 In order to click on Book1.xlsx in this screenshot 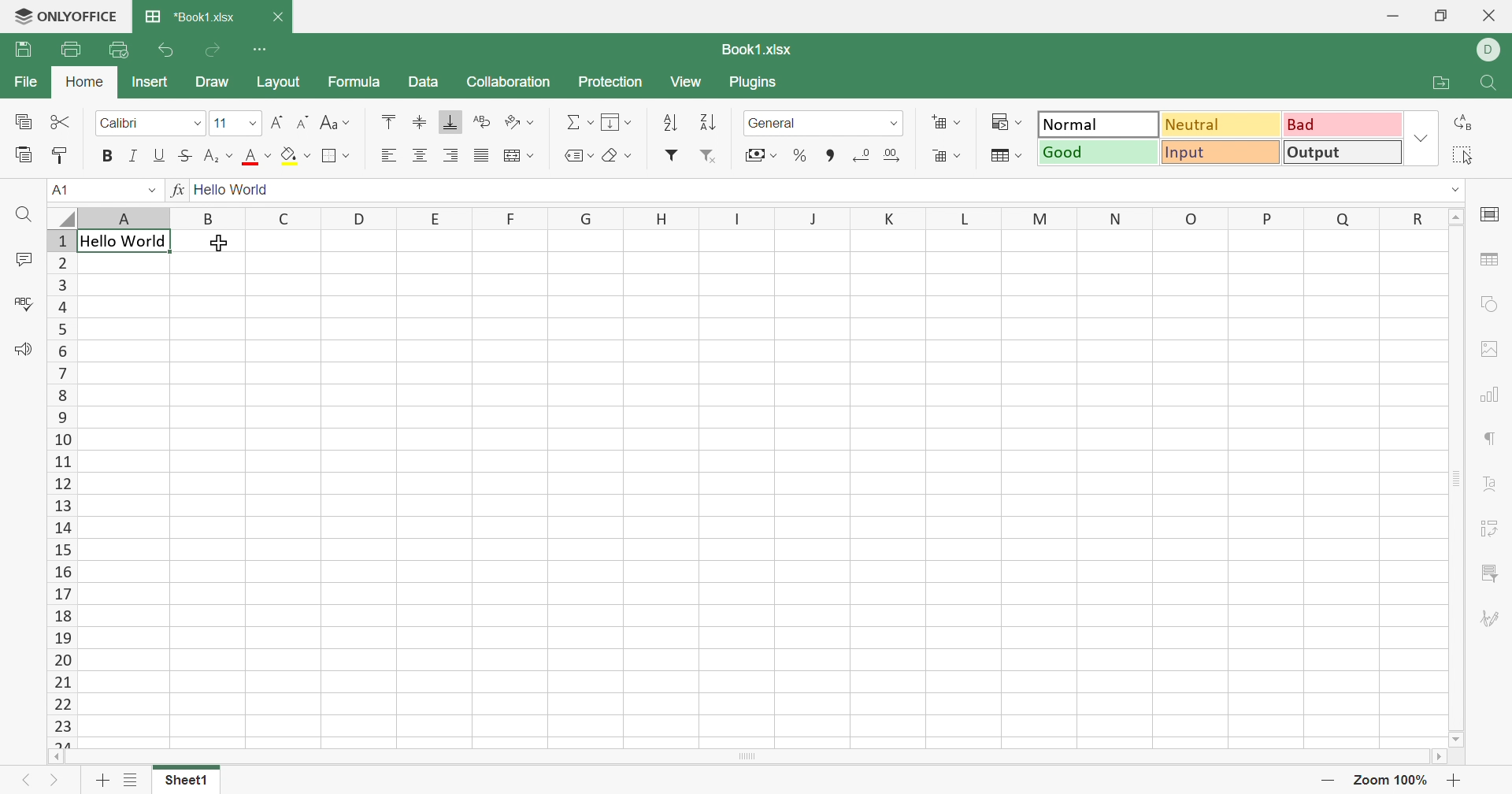, I will do `click(758, 52)`.